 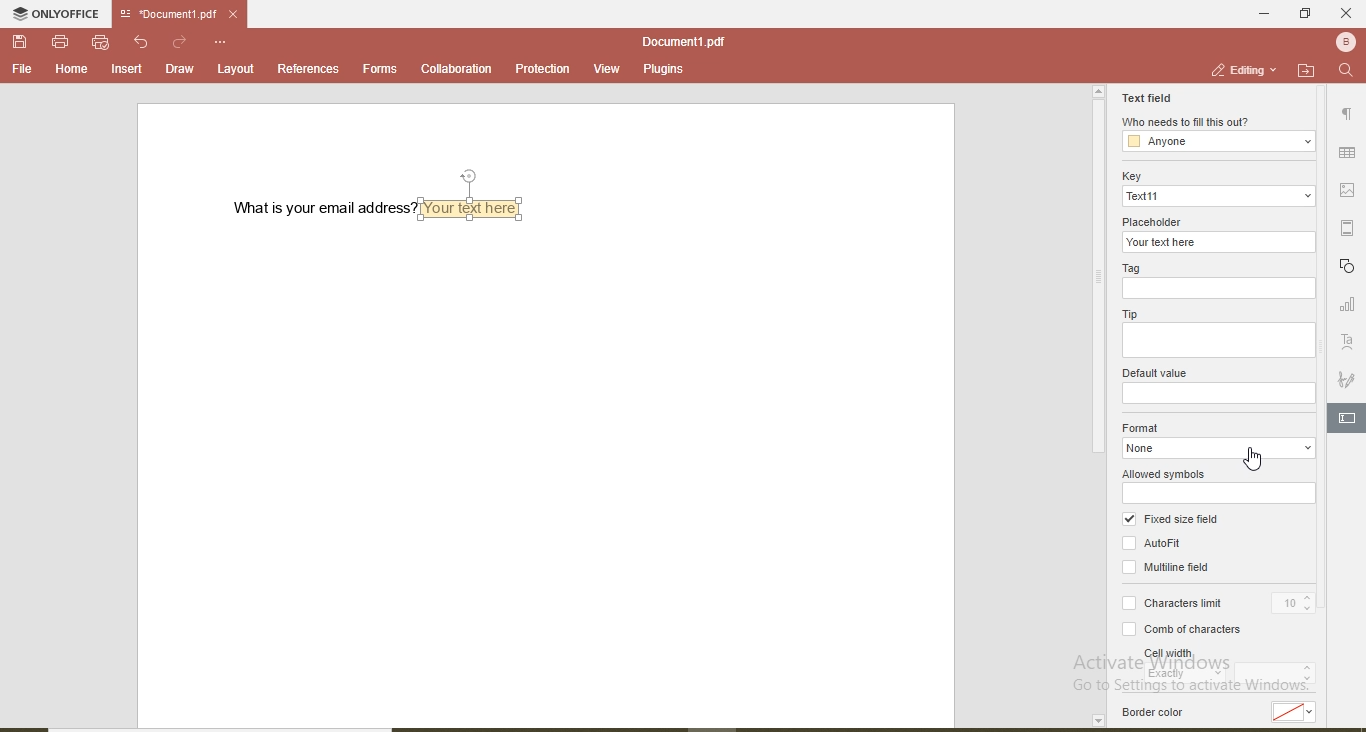 What do you see at coordinates (601, 66) in the screenshot?
I see `view` at bounding box center [601, 66].